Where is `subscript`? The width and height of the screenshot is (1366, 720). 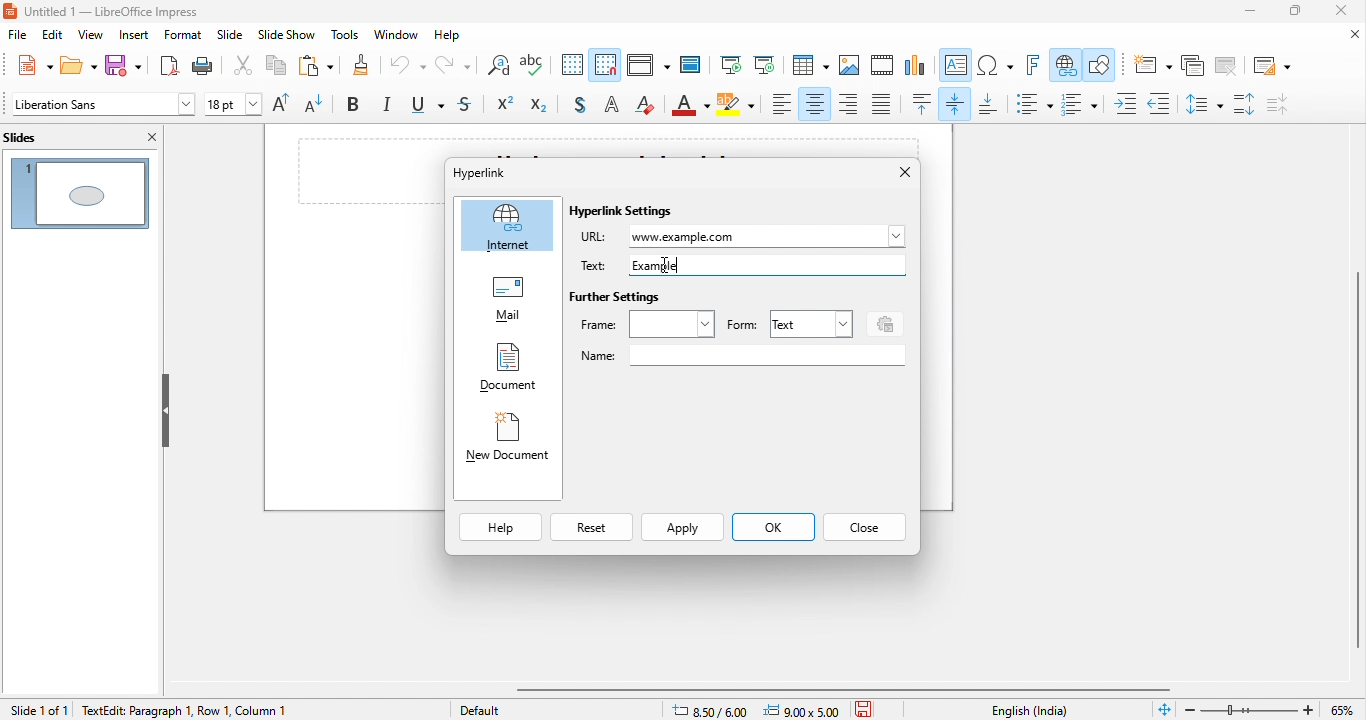 subscript is located at coordinates (543, 106).